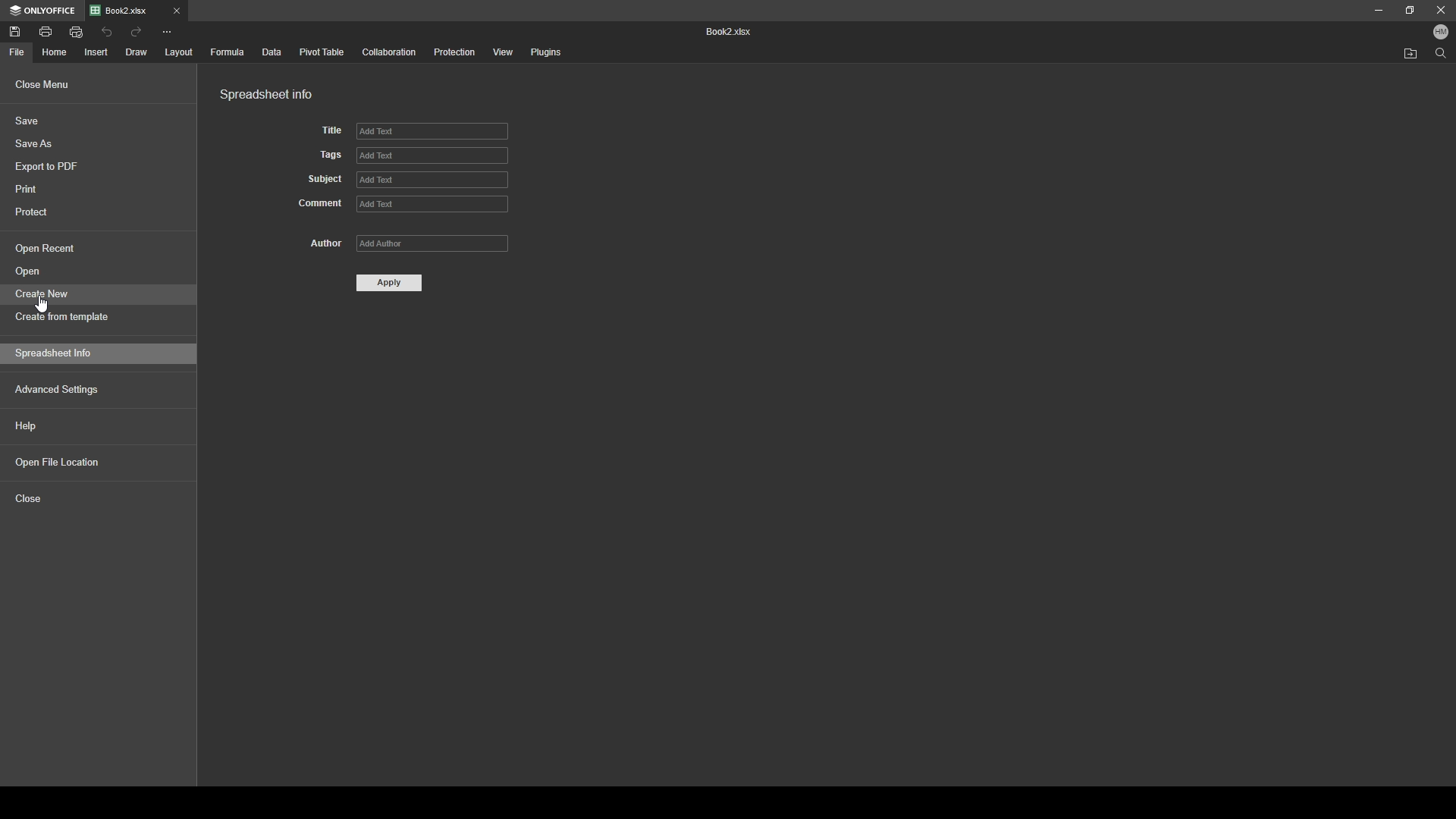 This screenshot has height=819, width=1456. I want to click on comment, so click(320, 203).